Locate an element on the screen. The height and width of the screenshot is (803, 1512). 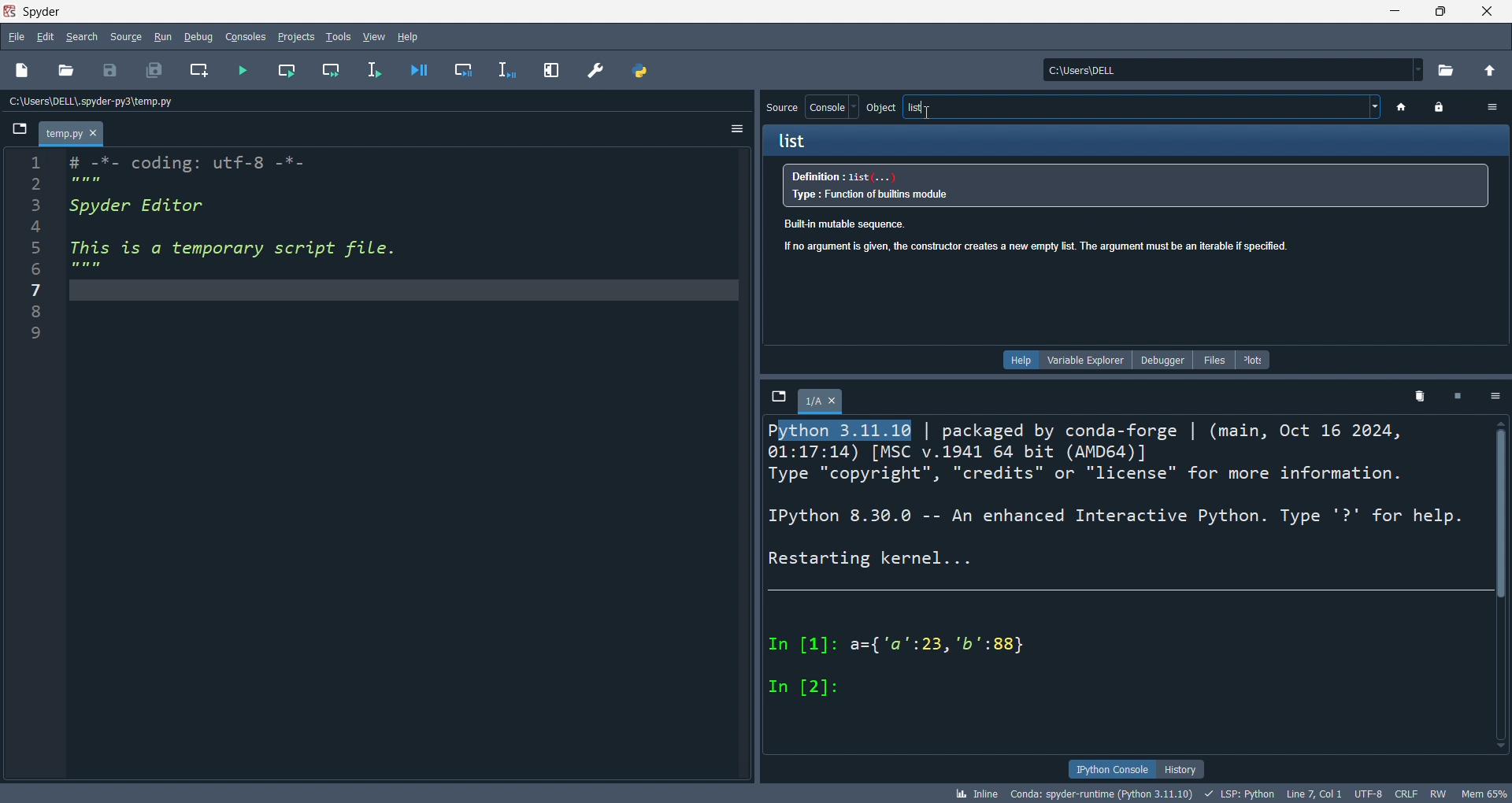
UTF-8 is located at coordinates (1367, 792).